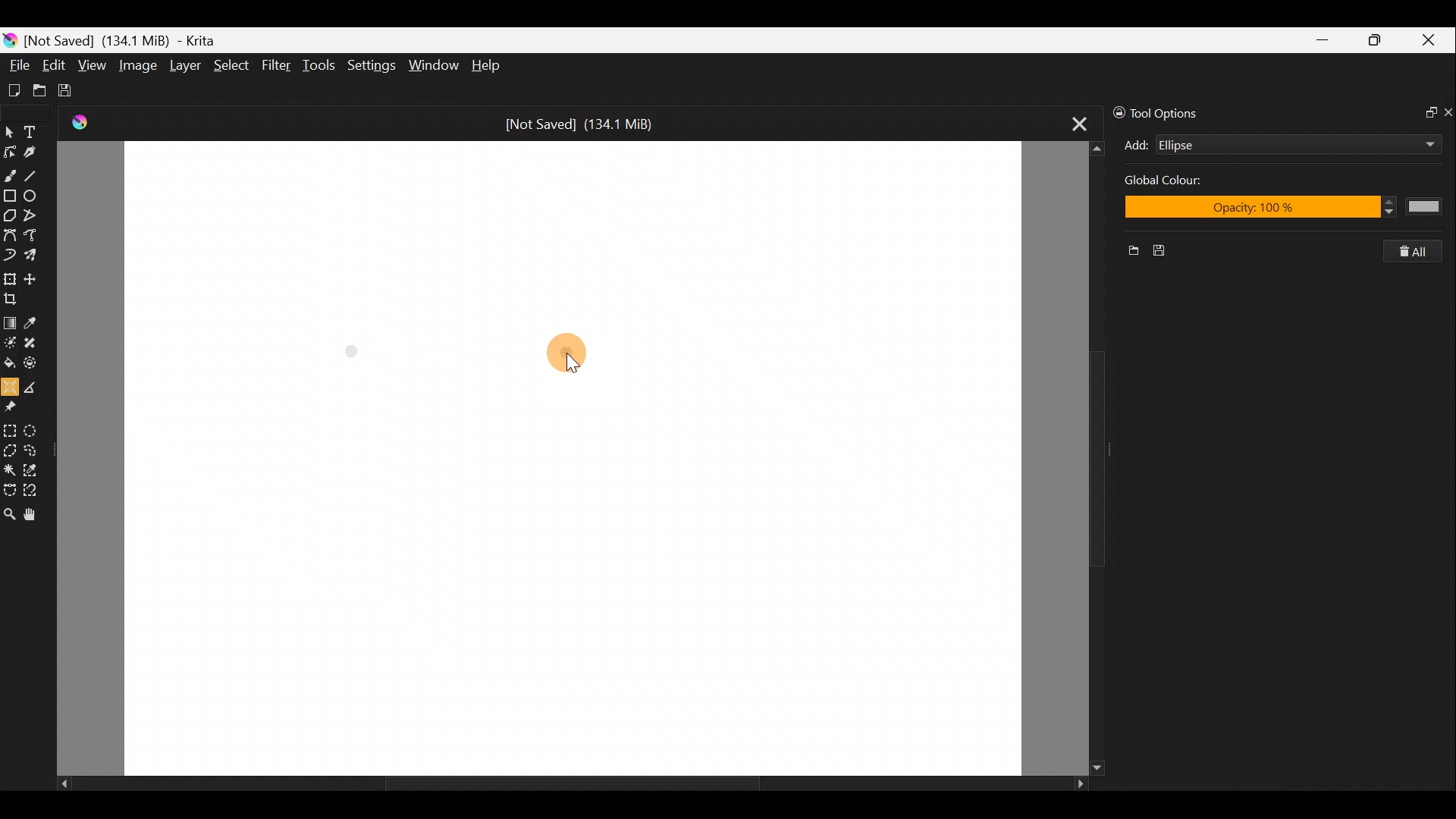 This screenshot has width=1456, height=819. I want to click on Dynamic brush tool, so click(9, 256).